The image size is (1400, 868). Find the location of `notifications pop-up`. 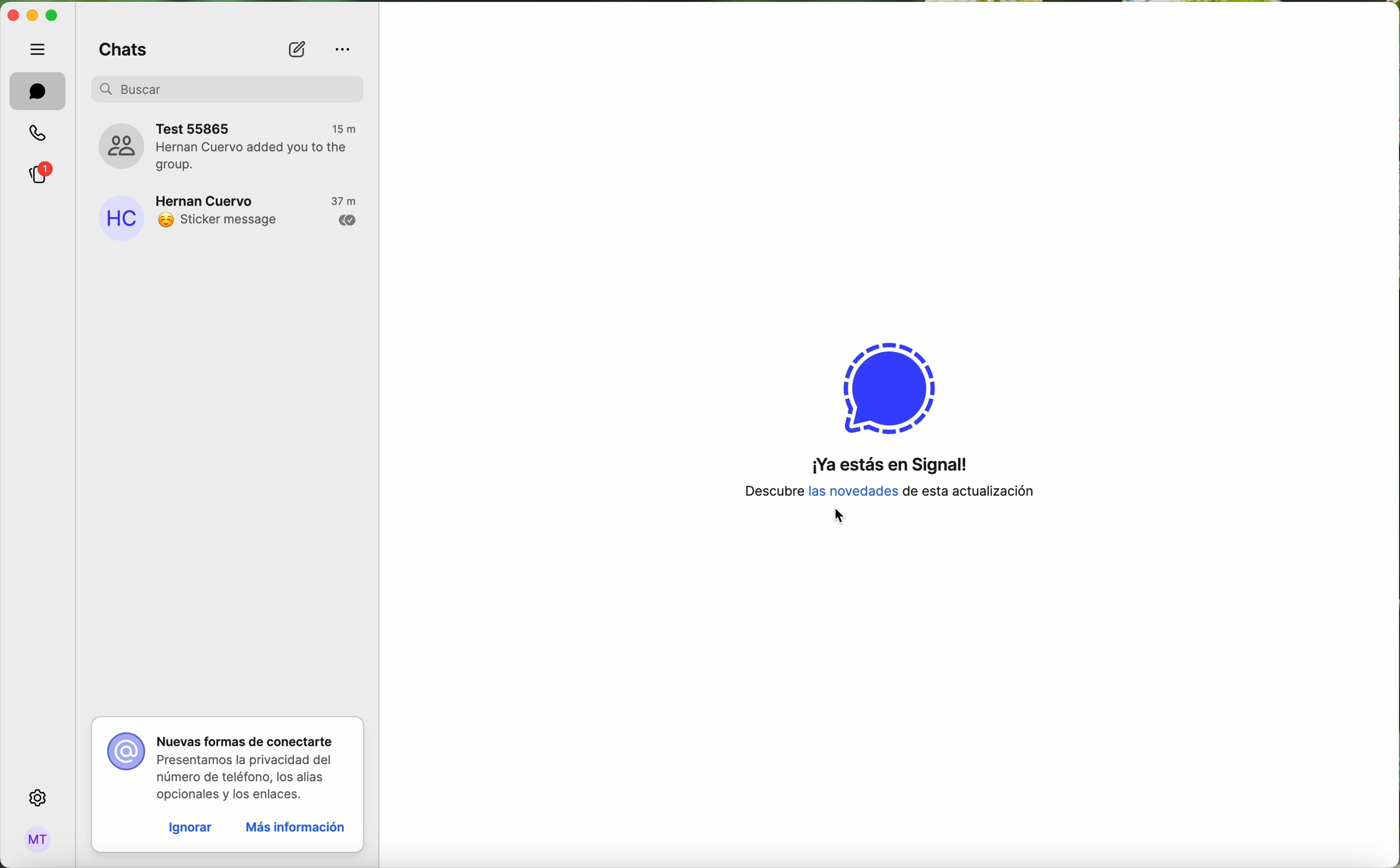

notifications pop-up is located at coordinates (229, 762).